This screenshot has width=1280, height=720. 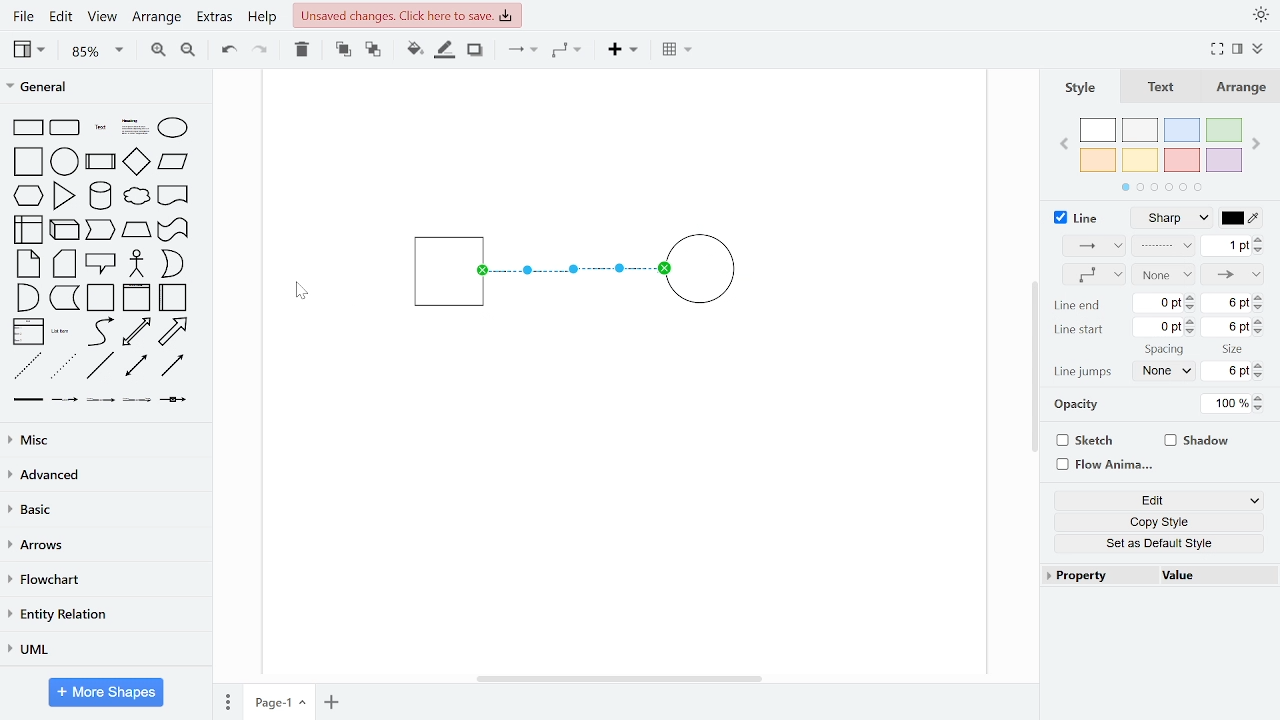 What do you see at coordinates (30, 163) in the screenshot?
I see `square` at bounding box center [30, 163].